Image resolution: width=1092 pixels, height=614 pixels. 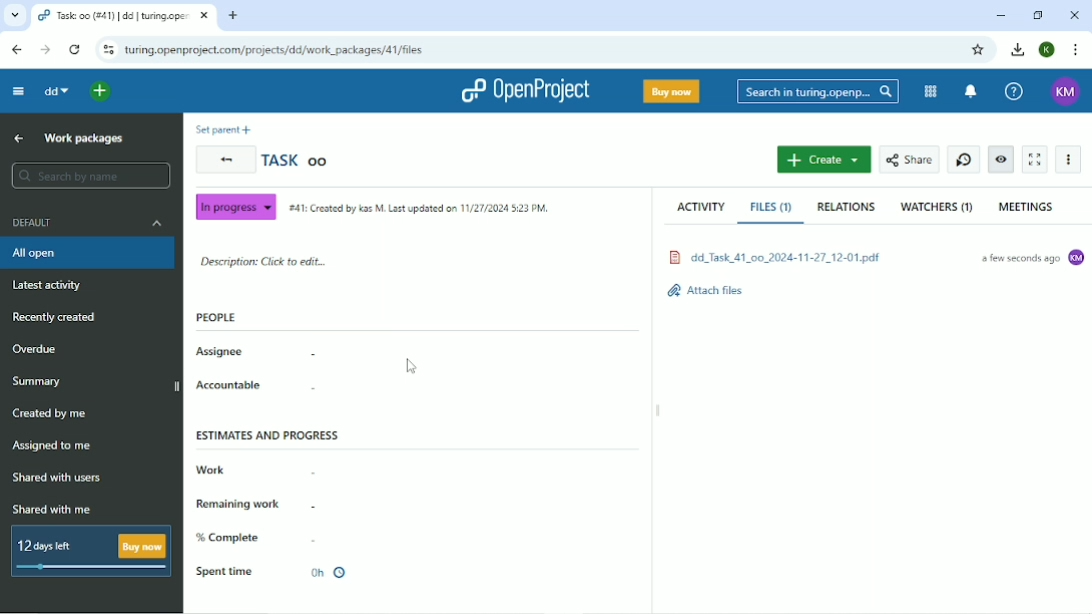 What do you see at coordinates (825, 159) in the screenshot?
I see `Create` at bounding box center [825, 159].